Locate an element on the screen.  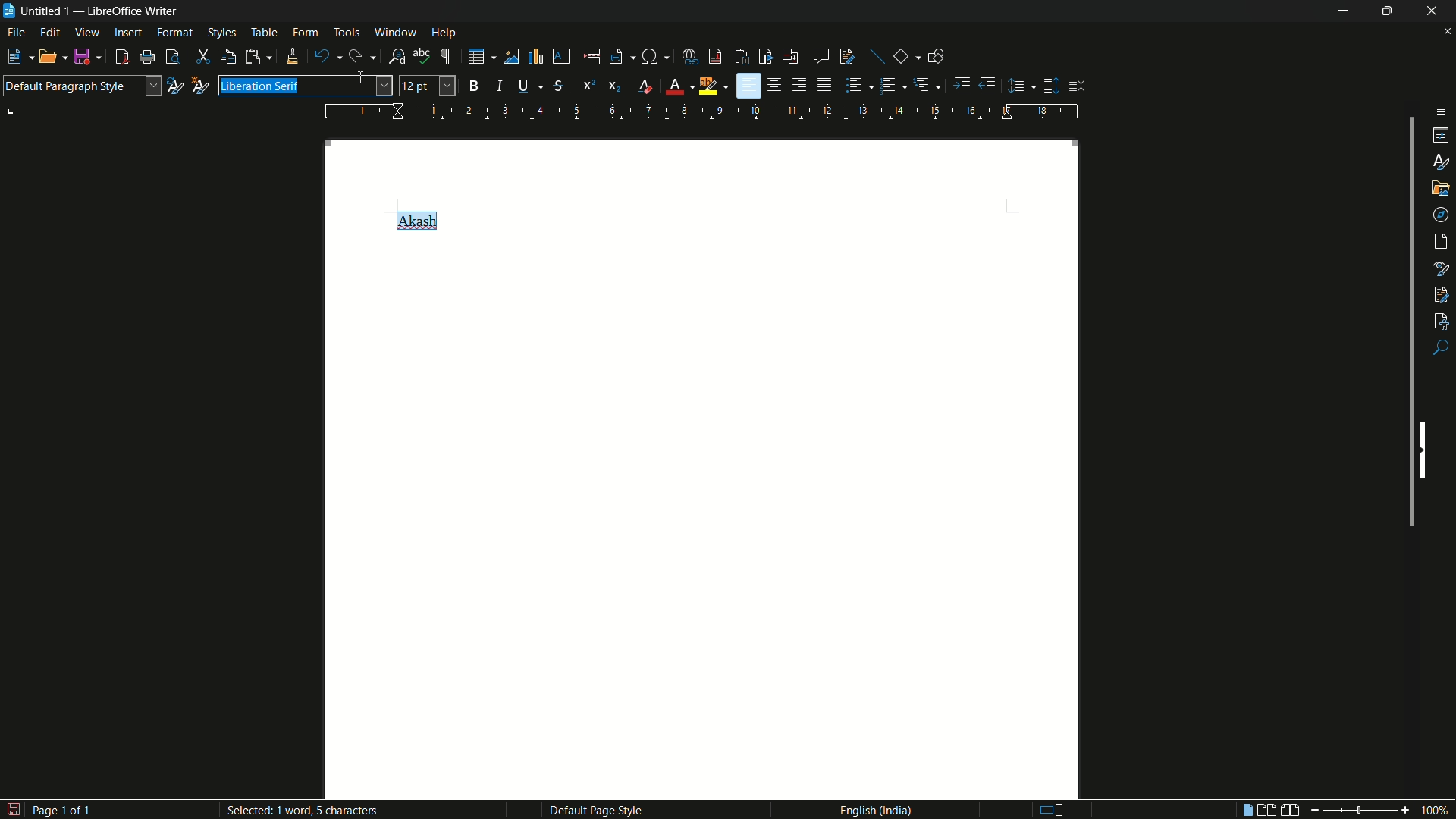
bold is located at coordinates (475, 86).